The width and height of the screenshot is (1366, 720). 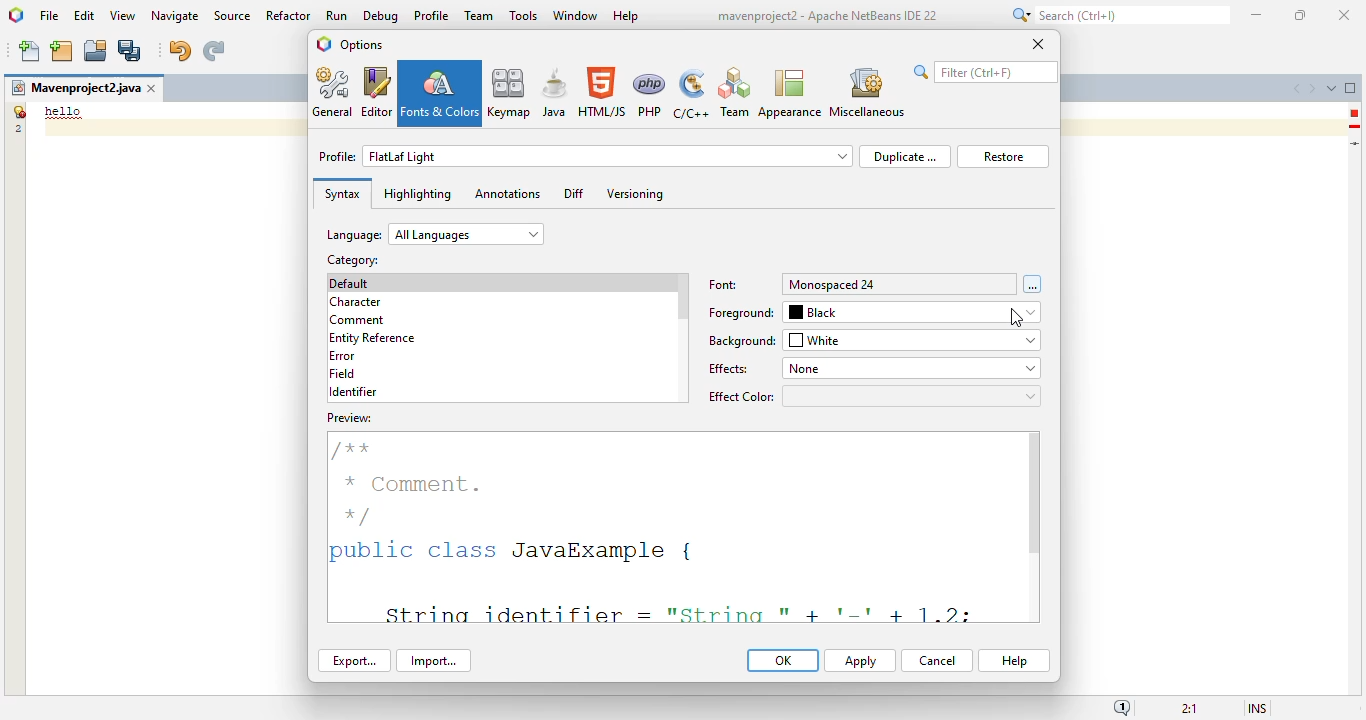 What do you see at coordinates (440, 93) in the screenshot?
I see `fonts & colors` at bounding box center [440, 93].